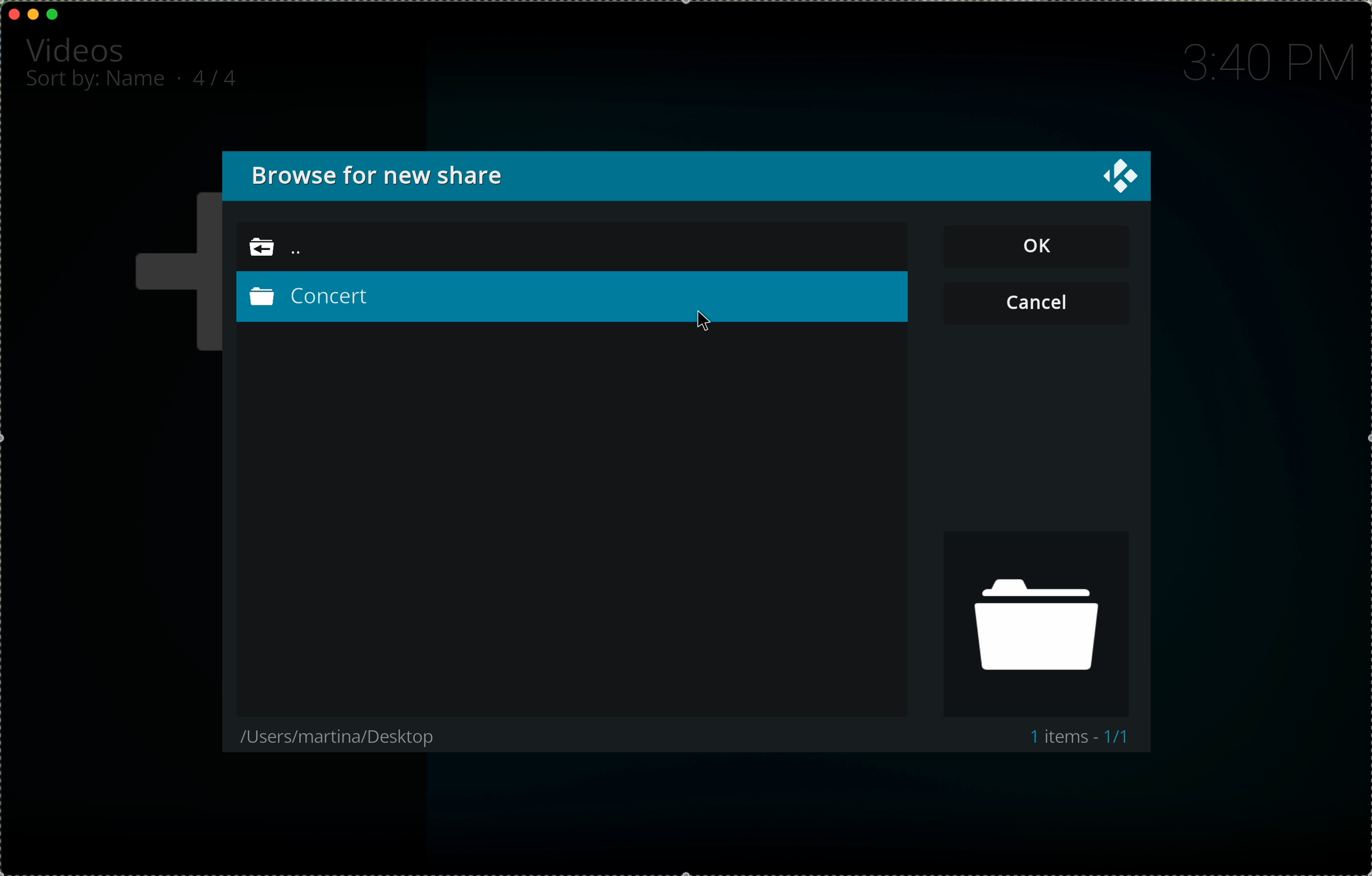 Image resolution: width=1372 pixels, height=876 pixels. I want to click on plus icon, so click(170, 274).